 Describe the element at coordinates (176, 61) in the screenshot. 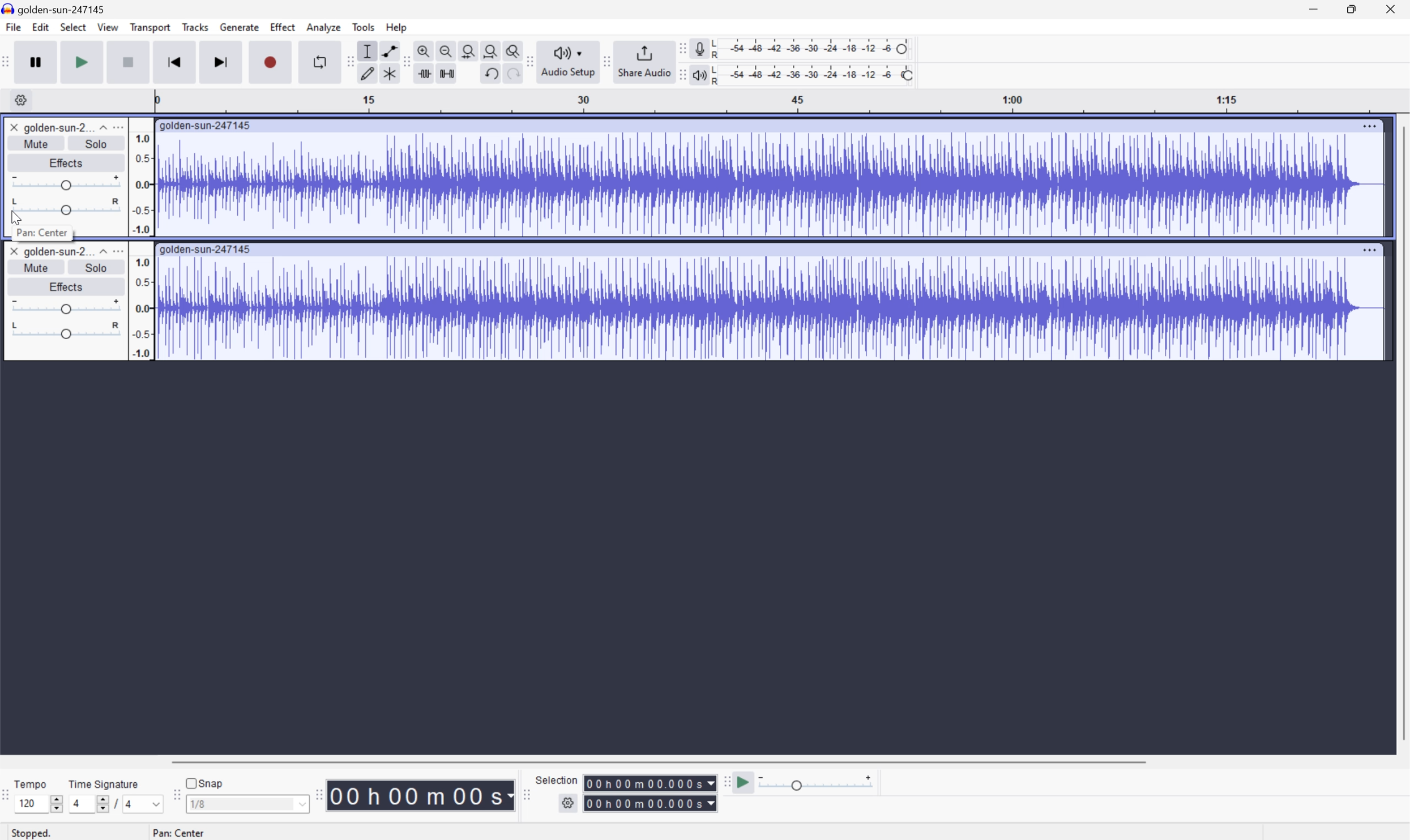

I see `Skip to start` at that location.